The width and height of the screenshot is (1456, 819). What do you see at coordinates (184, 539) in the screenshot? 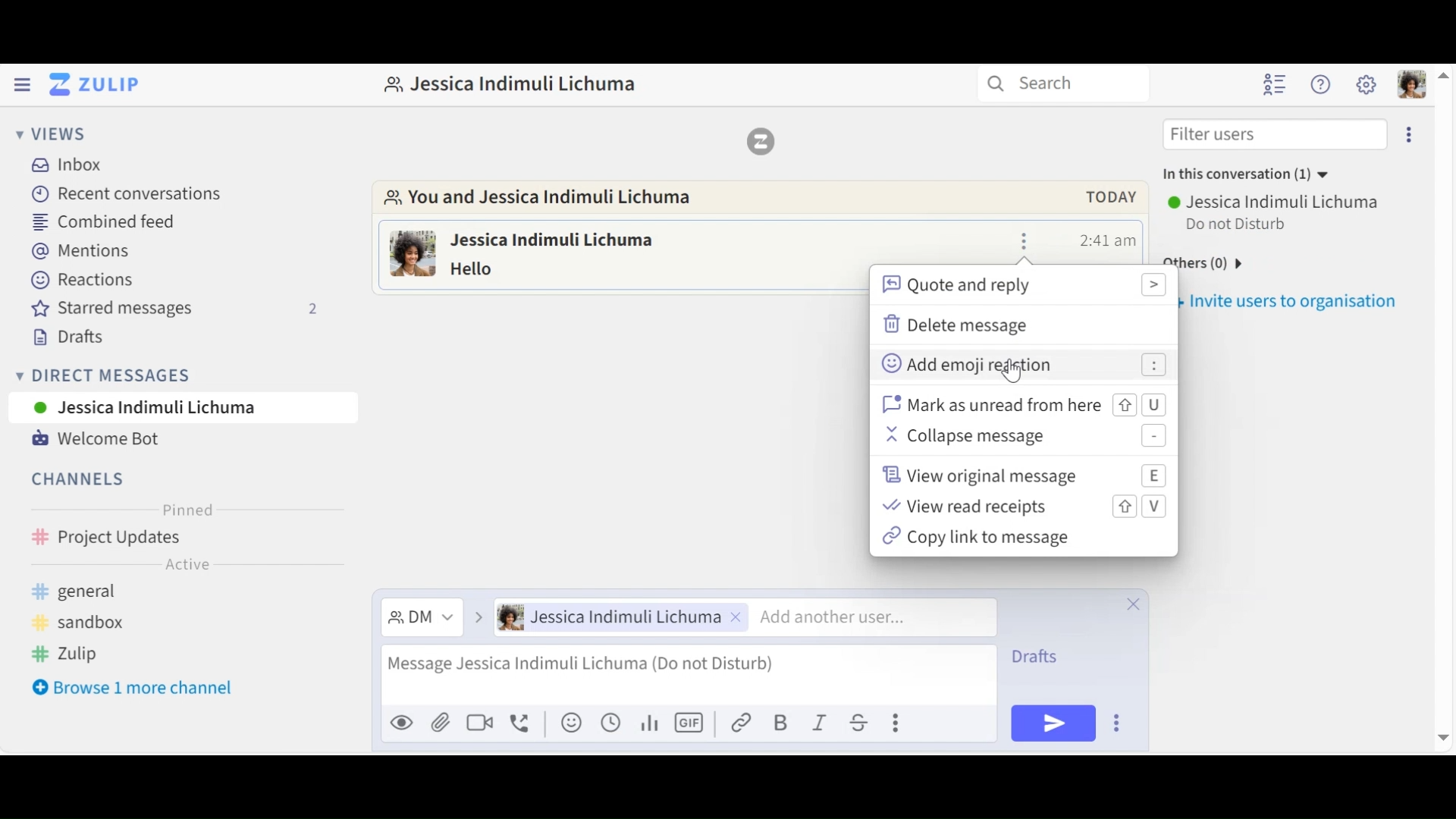
I see `Channel` at bounding box center [184, 539].